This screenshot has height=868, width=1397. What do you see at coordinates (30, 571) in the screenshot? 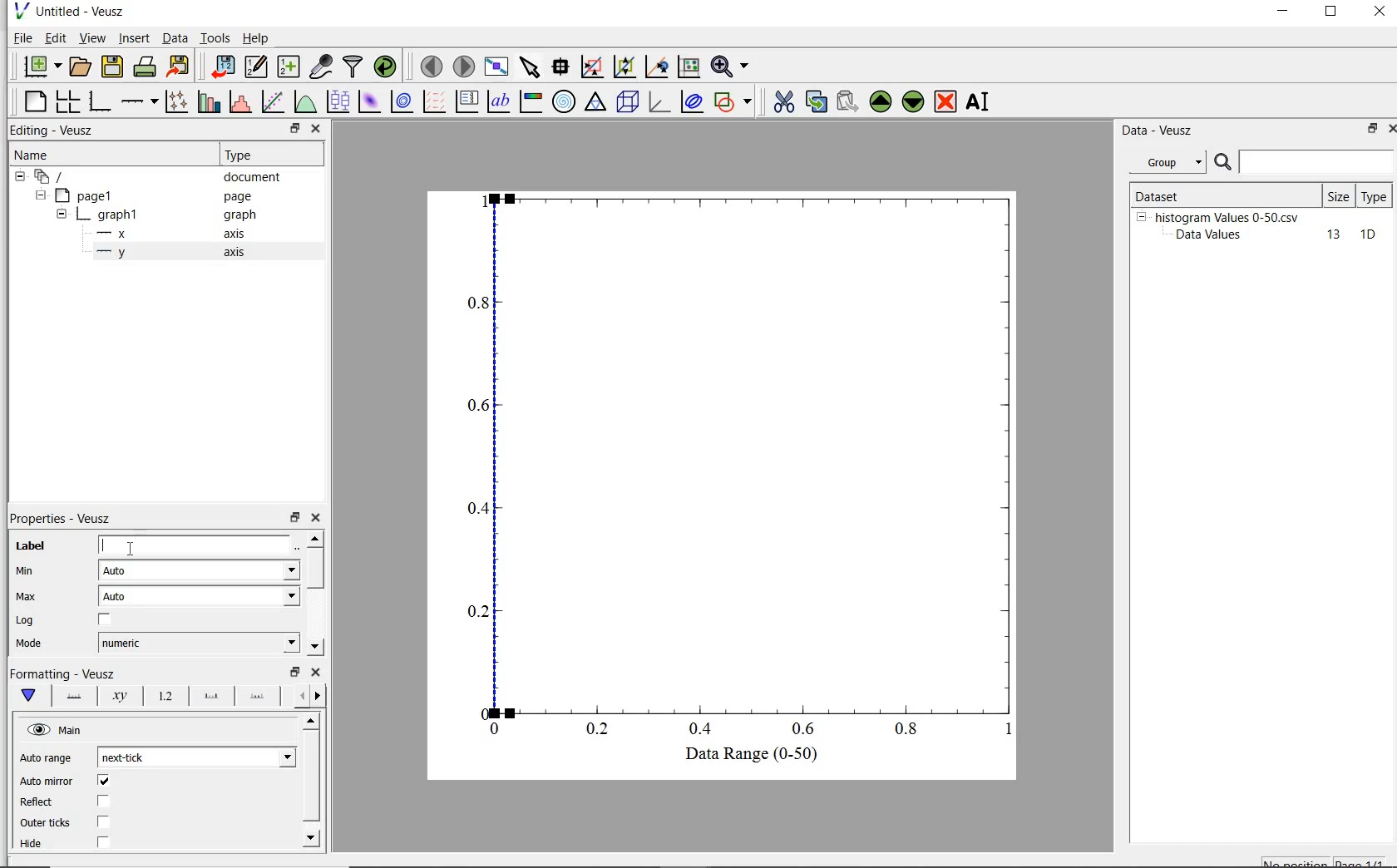
I see `min` at bounding box center [30, 571].